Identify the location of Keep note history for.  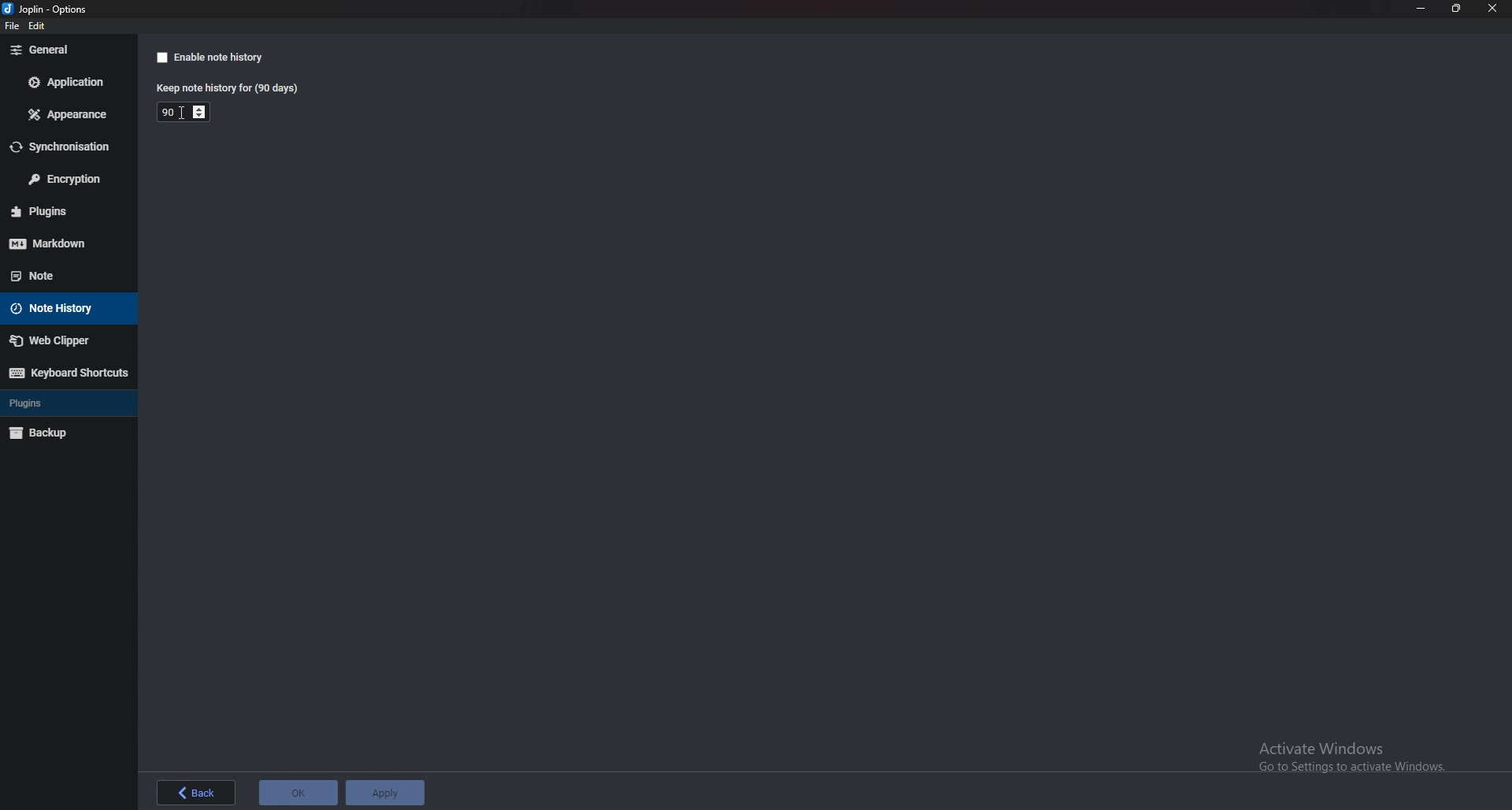
(225, 89).